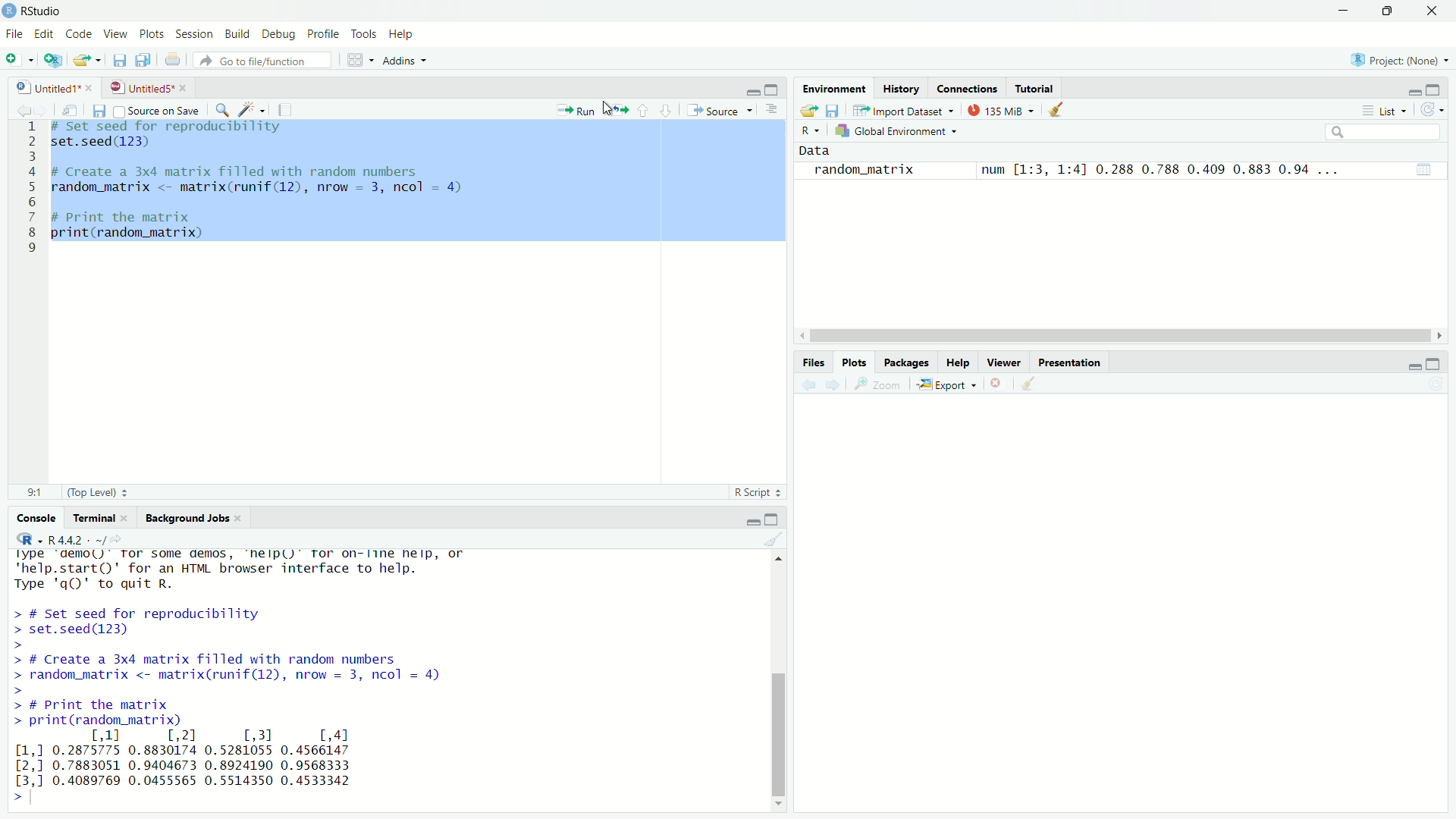  I want to click on Export, so click(944, 386).